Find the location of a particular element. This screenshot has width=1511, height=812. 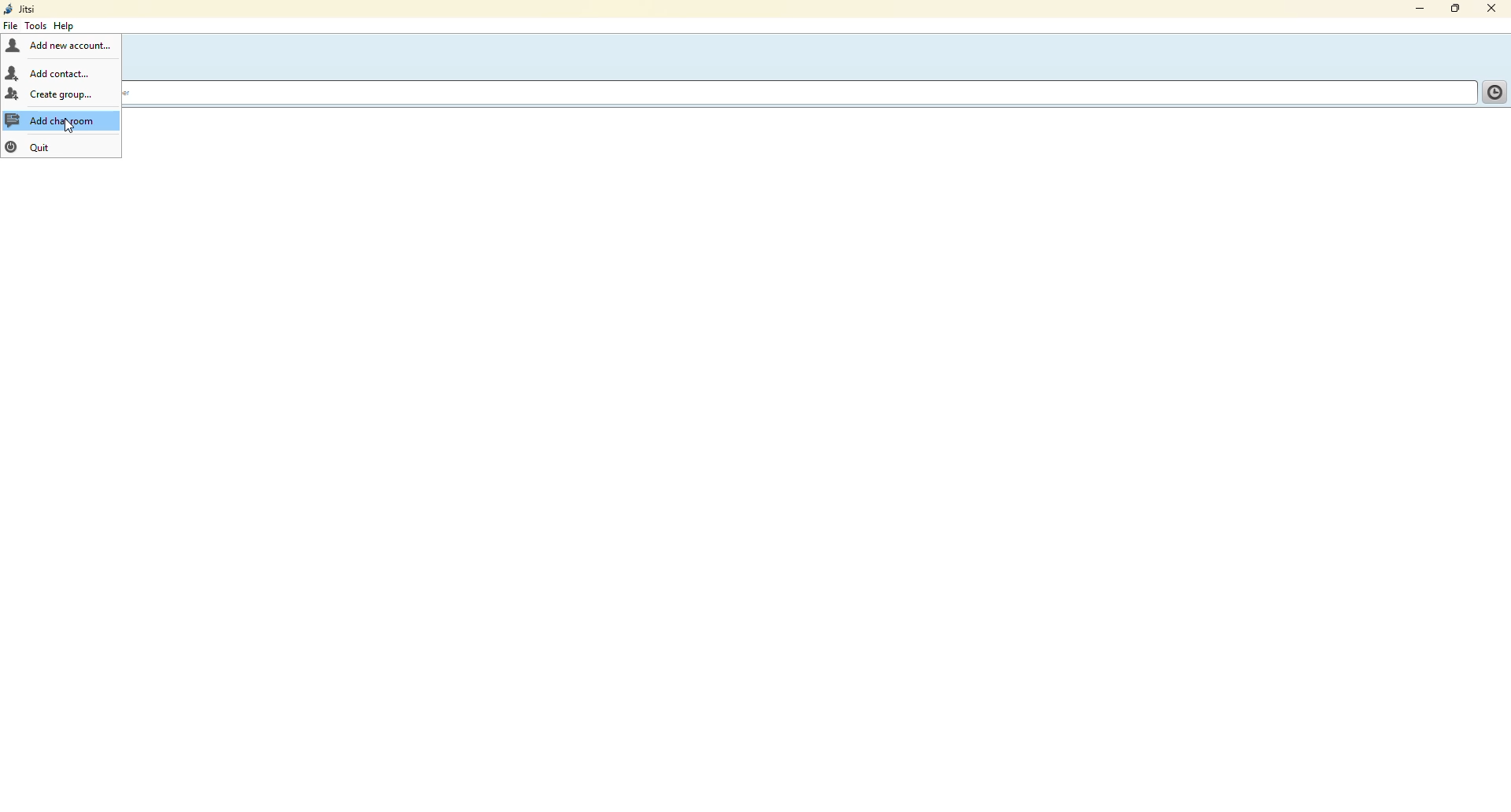

file is located at coordinates (11, 27).